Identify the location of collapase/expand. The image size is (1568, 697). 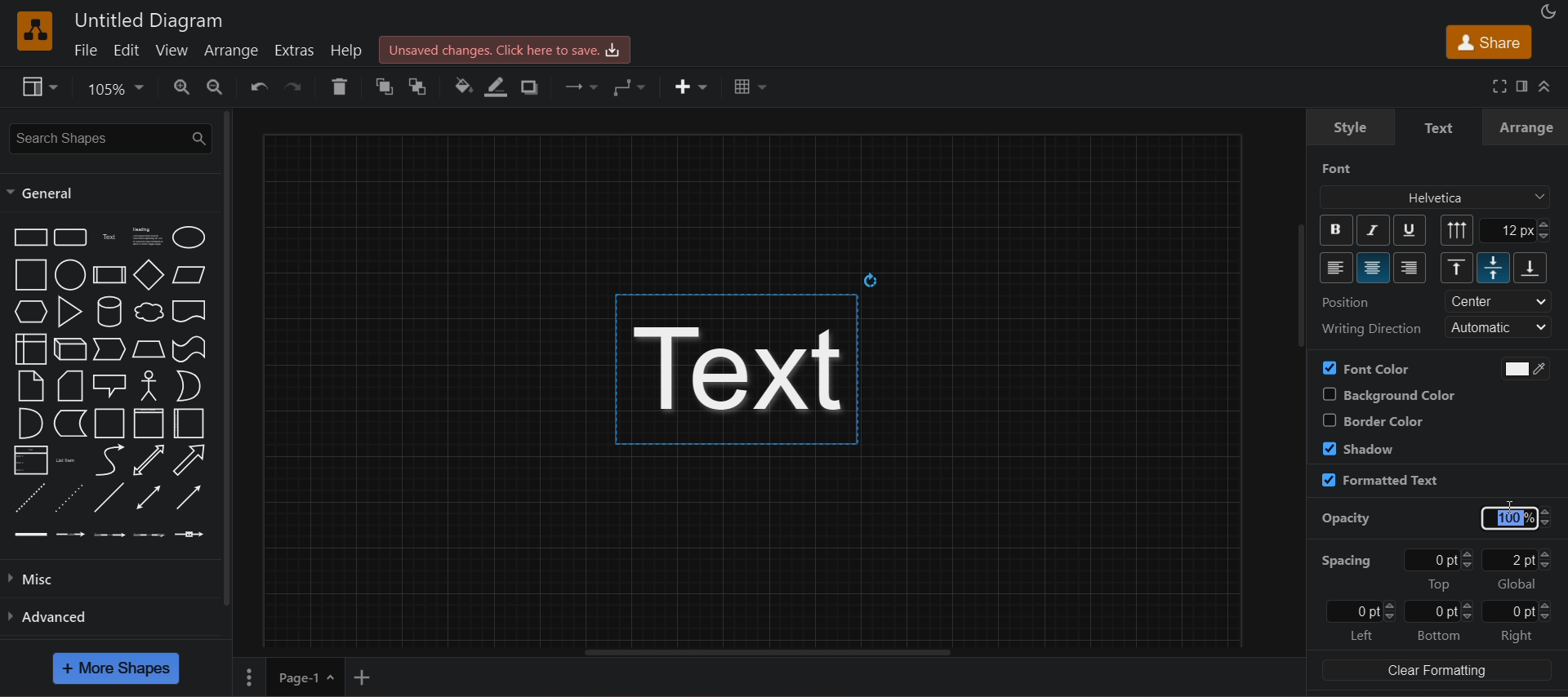
(1545, 87).